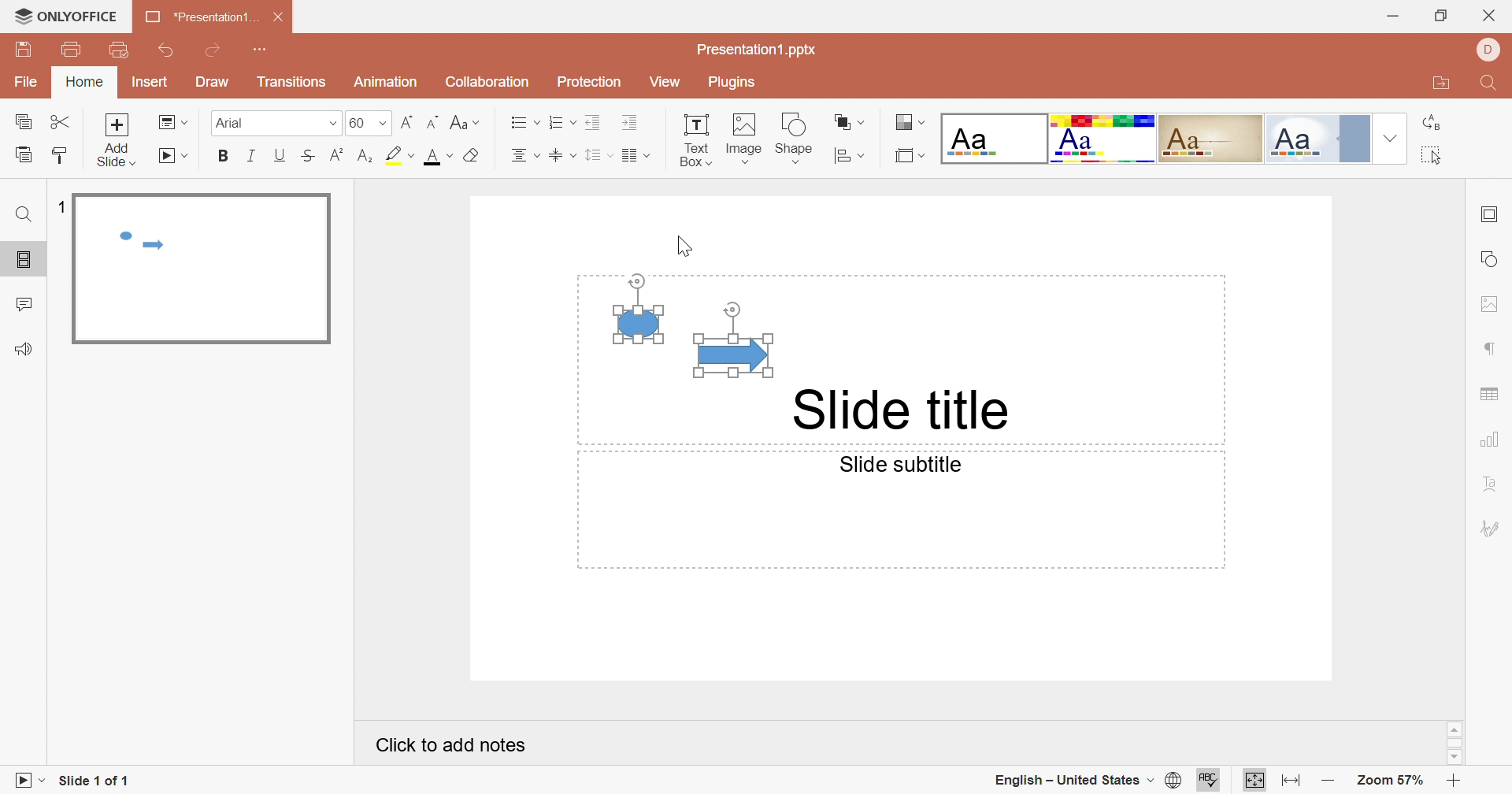 The width and height of the screenshot is (1512, 794). I want to click on Highlight color, so click(402, 156).